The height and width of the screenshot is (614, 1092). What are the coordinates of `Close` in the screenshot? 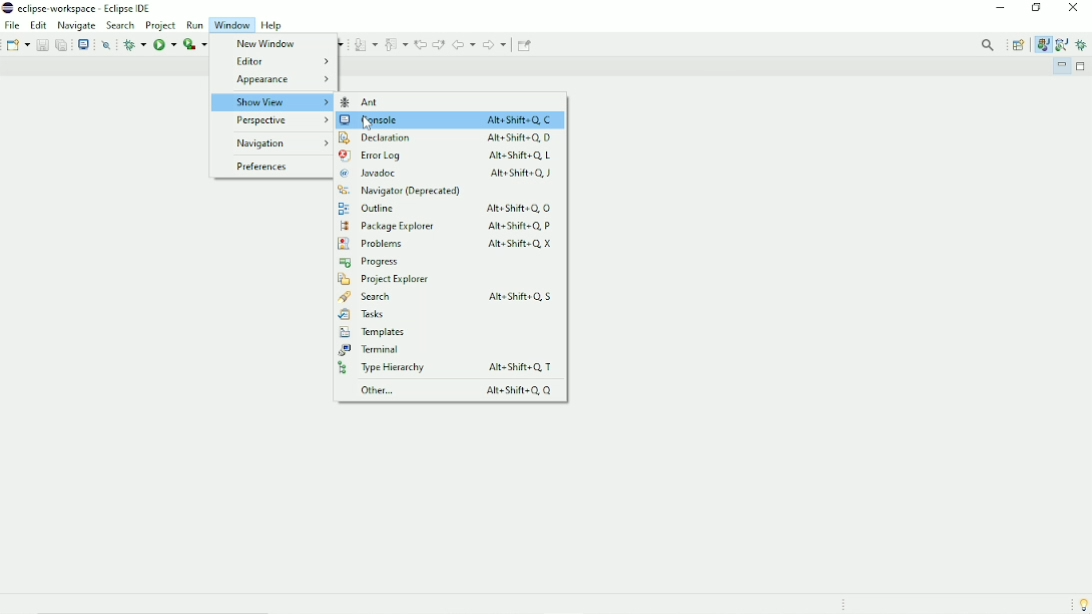 It's located at (1074, 11).